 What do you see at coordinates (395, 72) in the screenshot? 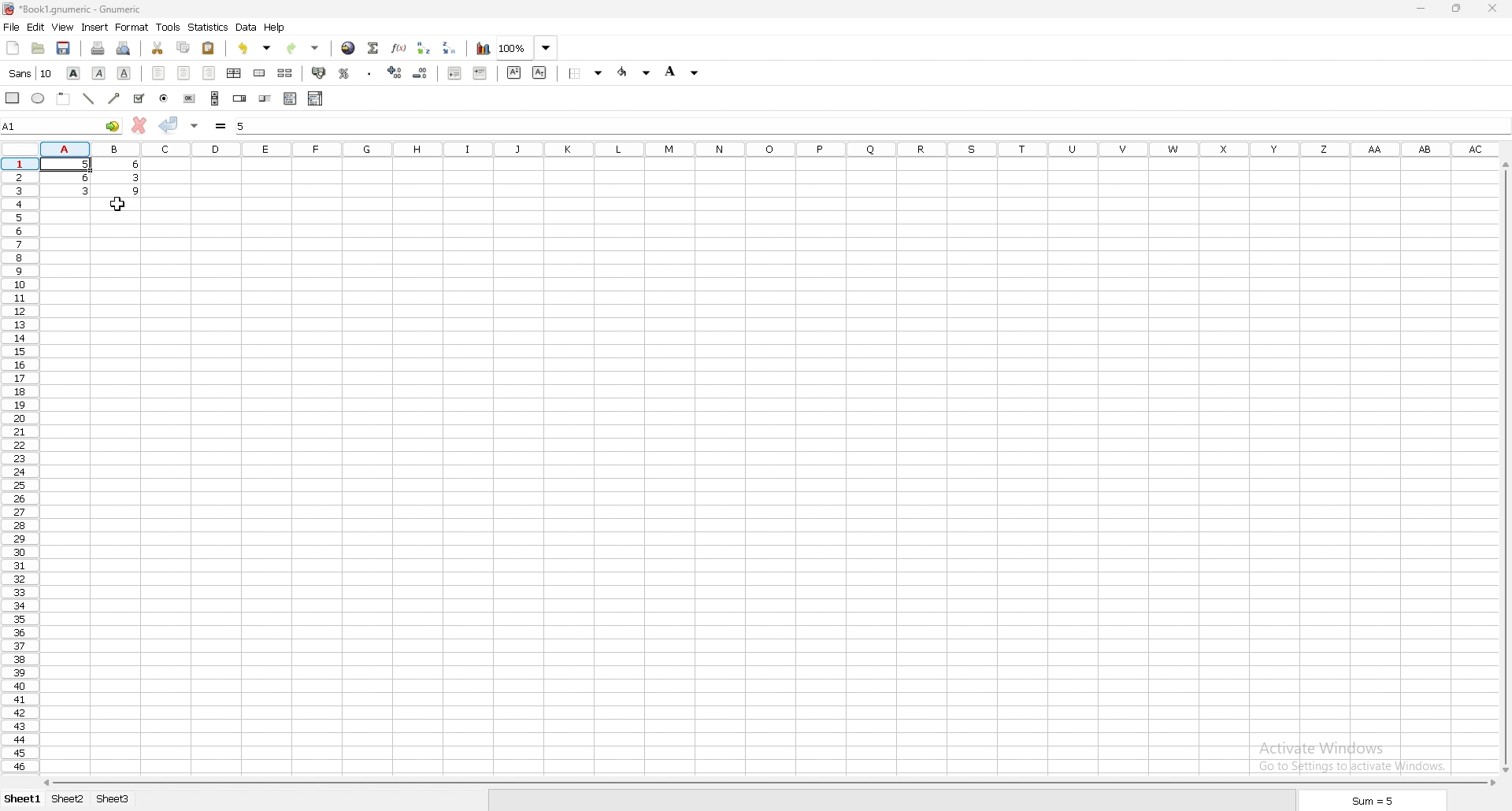
I see `increase decimal` at bounding box center [395, 72].